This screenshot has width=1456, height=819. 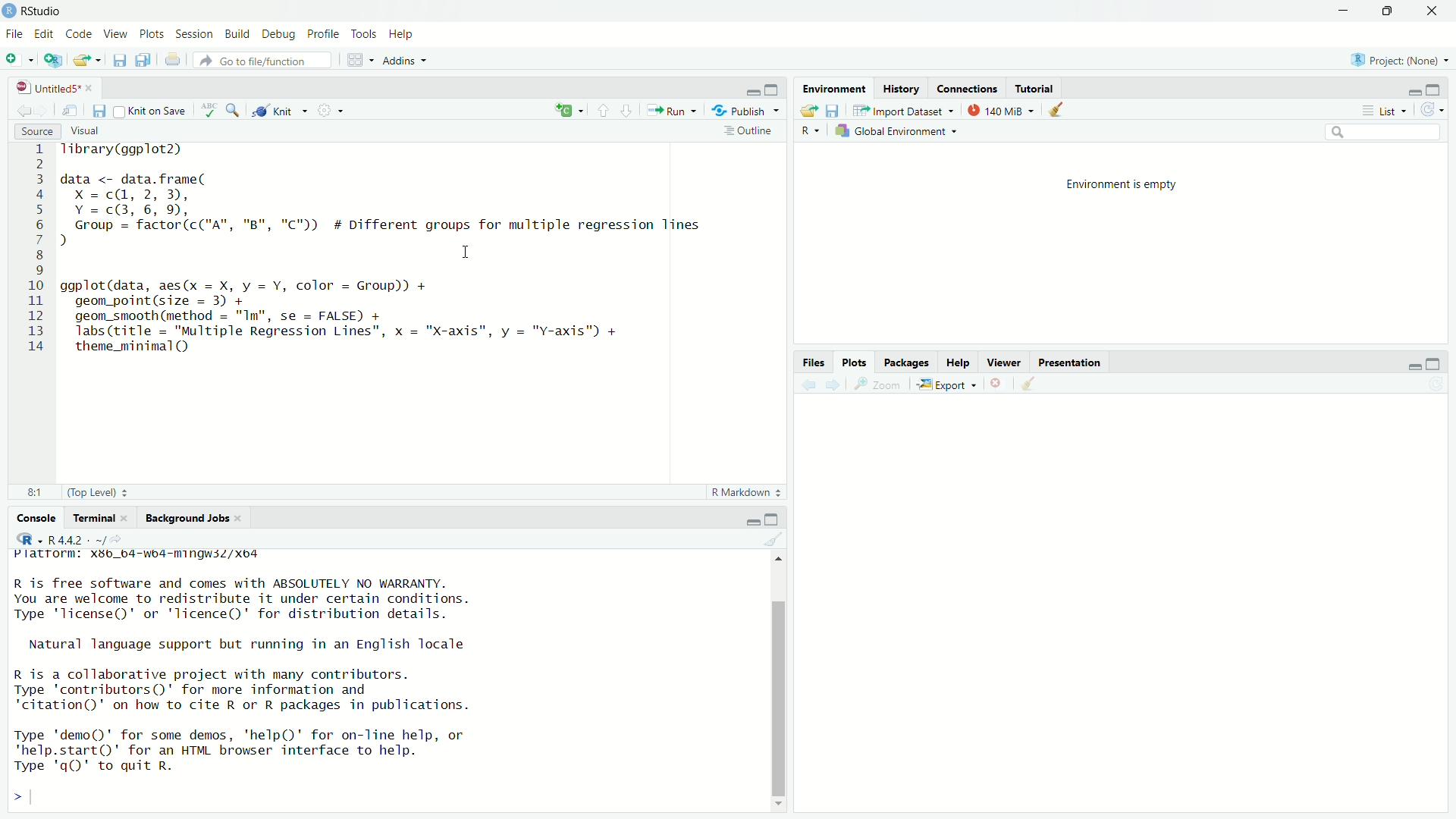 What do you see at coordinates (775, 678) in the screenshot?
I see `scroll bar` at bounding box center [775, 678].